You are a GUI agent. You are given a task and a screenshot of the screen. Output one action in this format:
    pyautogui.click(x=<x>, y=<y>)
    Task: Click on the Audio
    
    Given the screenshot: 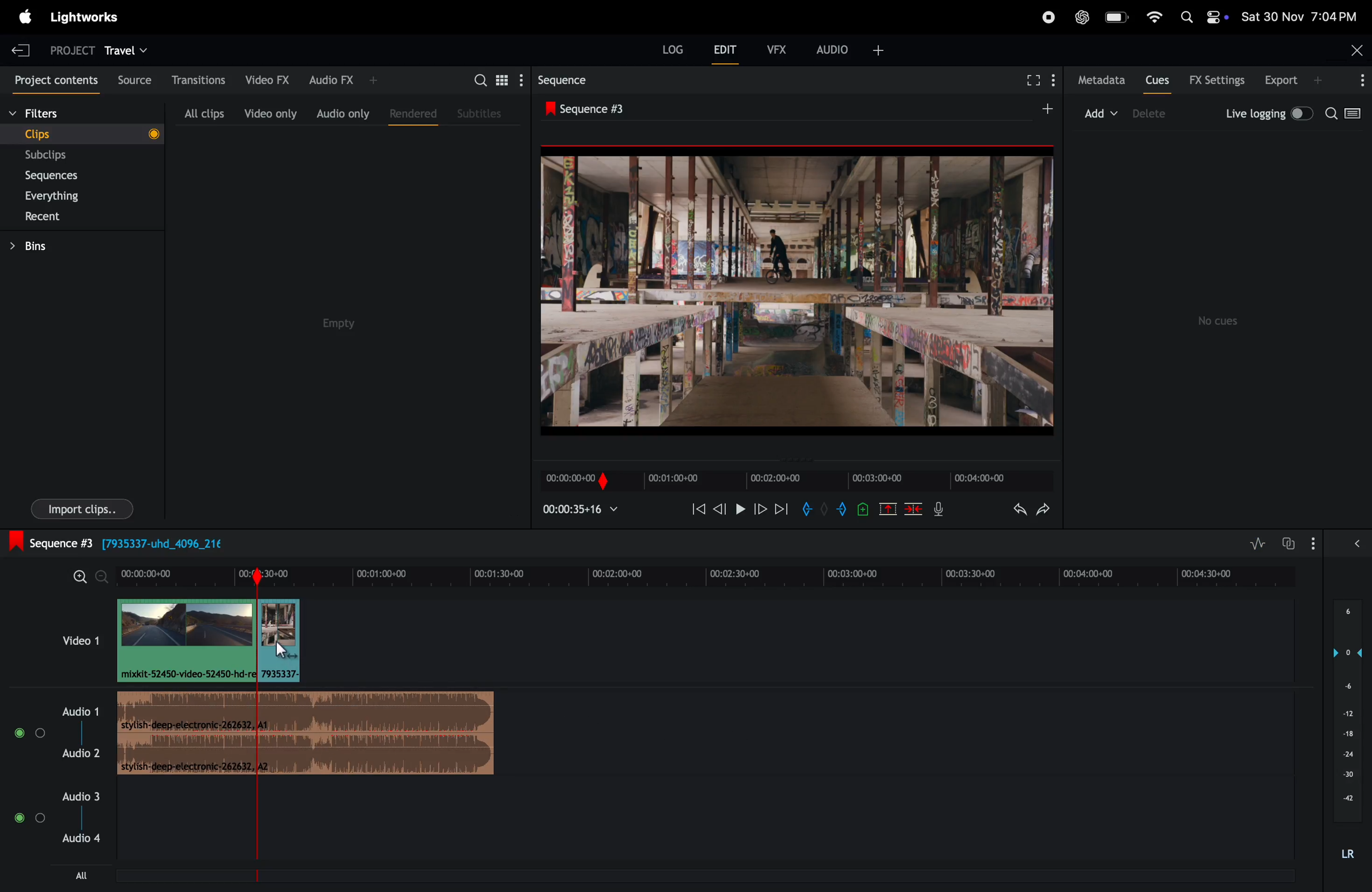 What is the action you would take?
    pyautogui.click(x=1358, y=548)
    